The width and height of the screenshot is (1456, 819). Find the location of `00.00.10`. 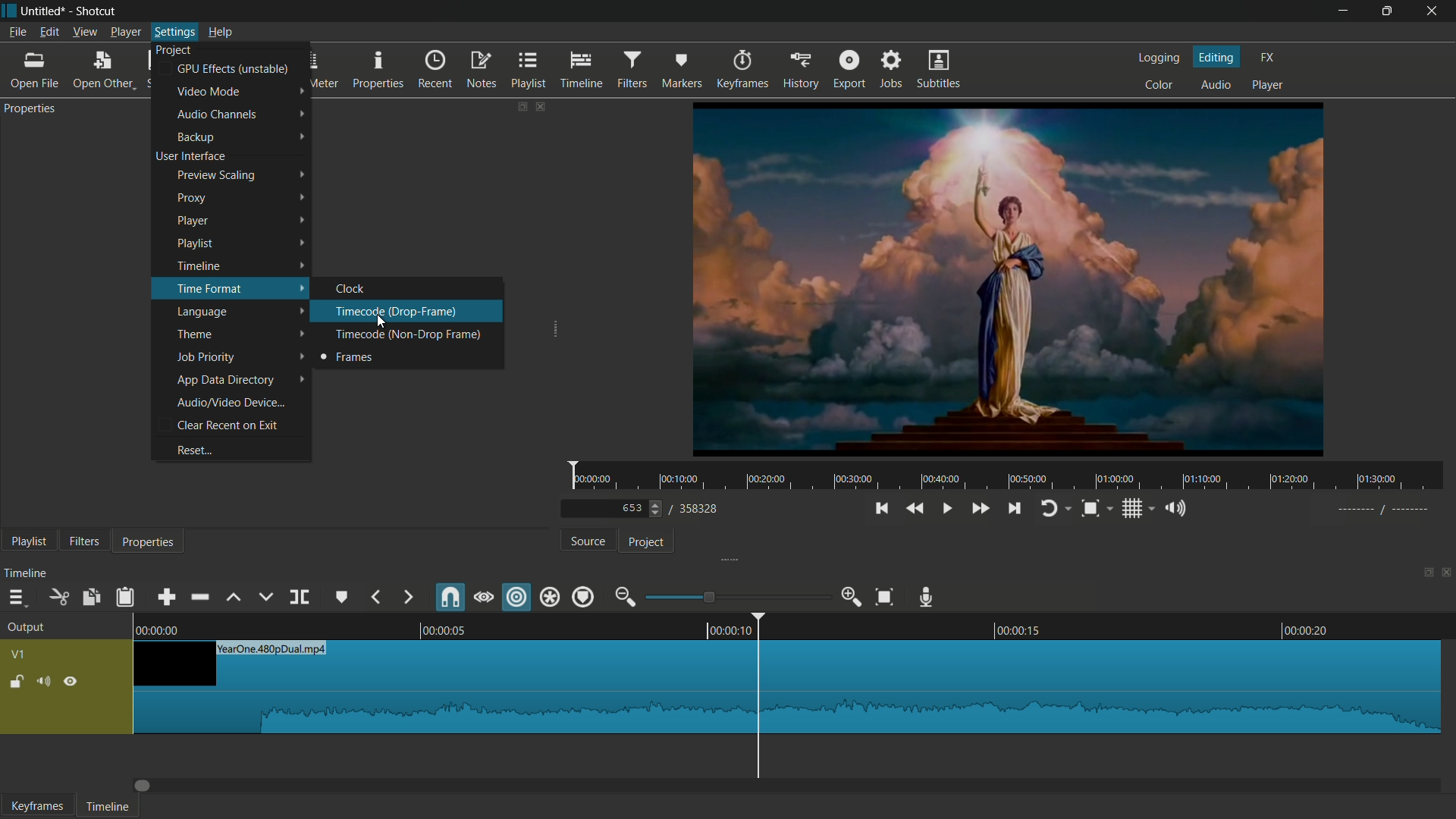

00.00.10 is located at coordinates (741, 620).